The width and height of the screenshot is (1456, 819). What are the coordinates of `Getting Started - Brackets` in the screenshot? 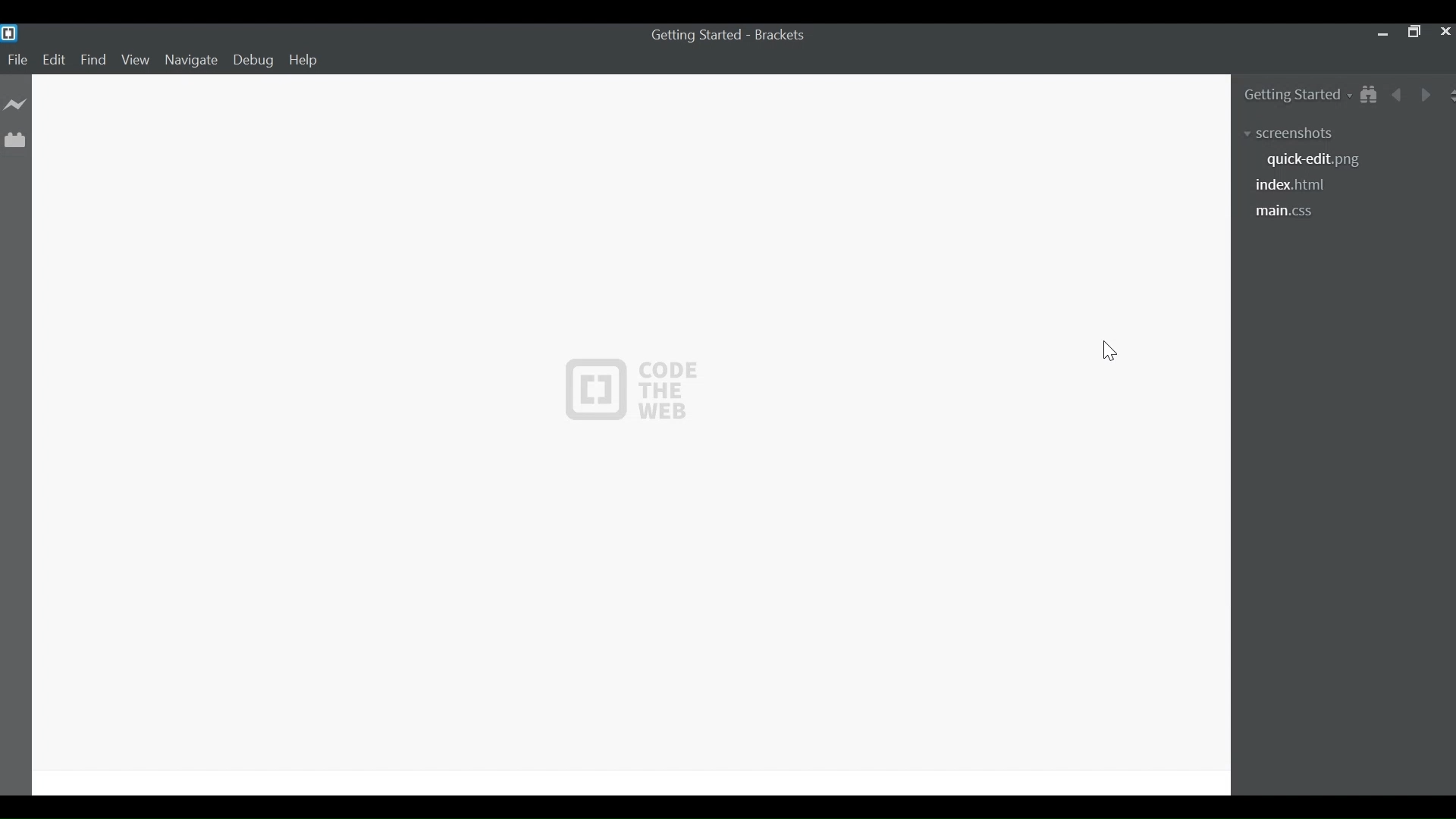 It's located at (697, 36).